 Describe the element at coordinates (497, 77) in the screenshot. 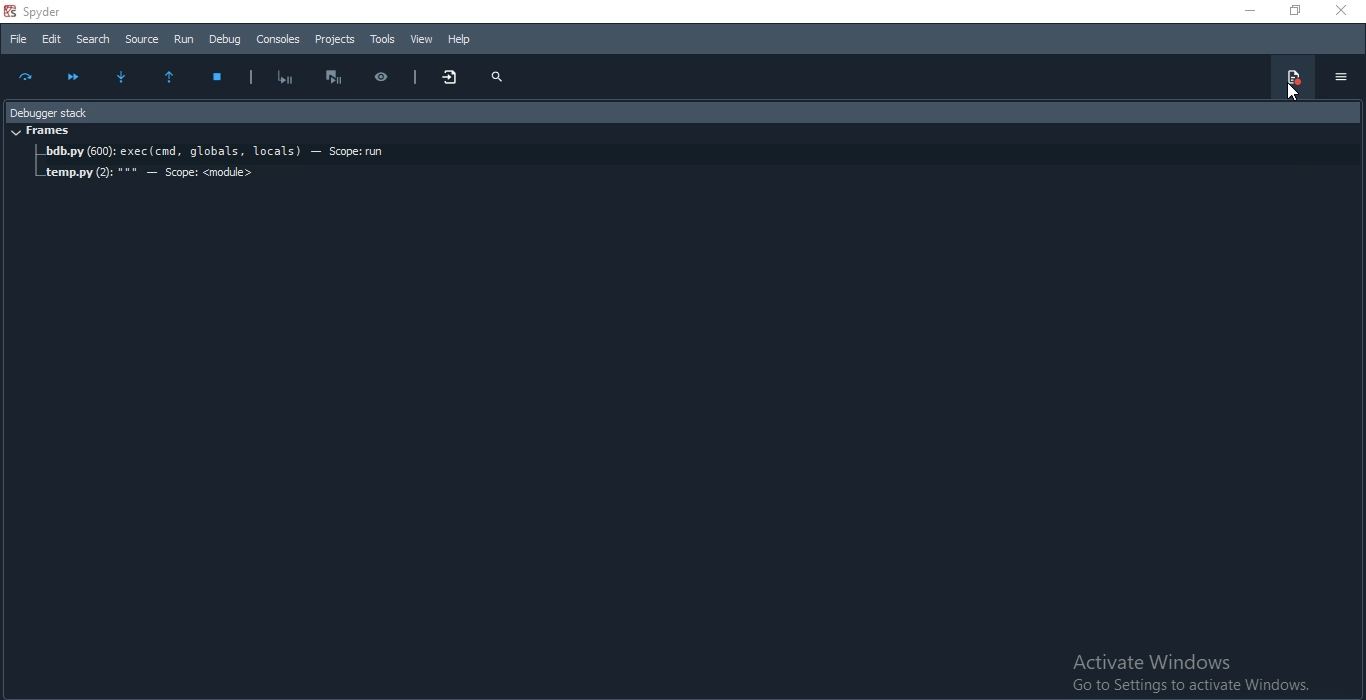

I see `search ` at that location.